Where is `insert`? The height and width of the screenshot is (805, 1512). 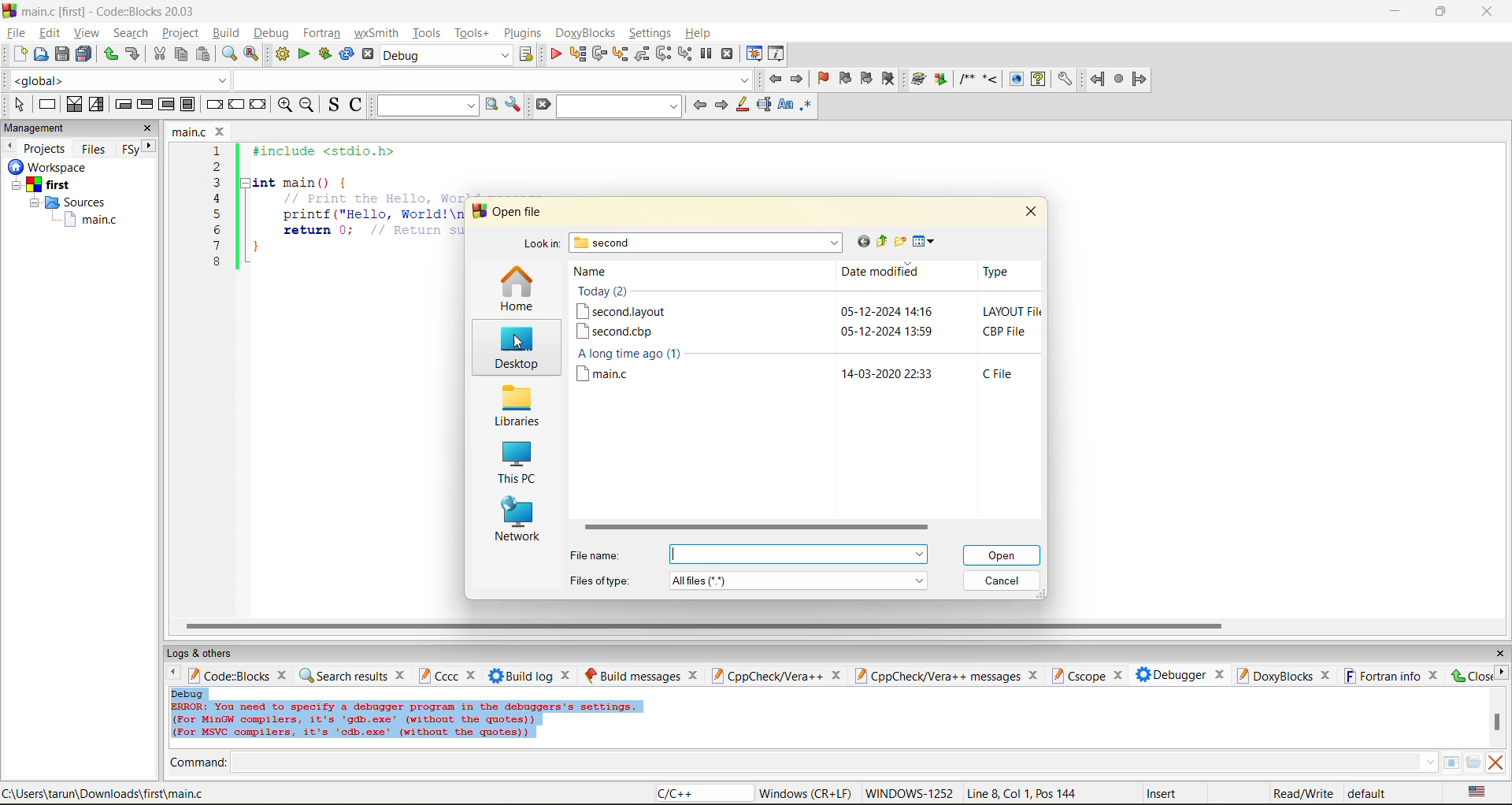 insert is located at coordinates (1165, 793).